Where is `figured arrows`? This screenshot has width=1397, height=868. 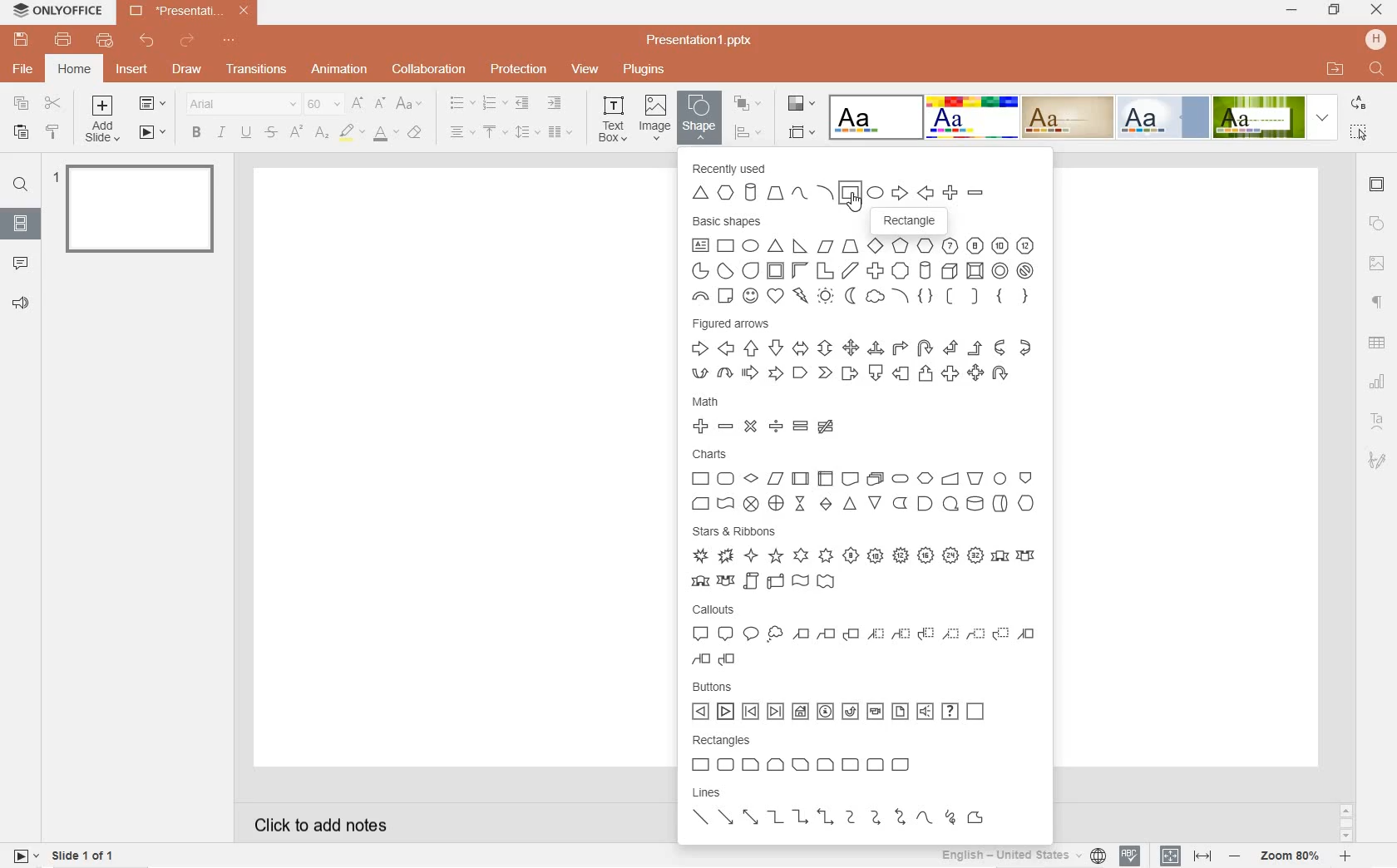
figured arrows is located at coordinates (728, 323).